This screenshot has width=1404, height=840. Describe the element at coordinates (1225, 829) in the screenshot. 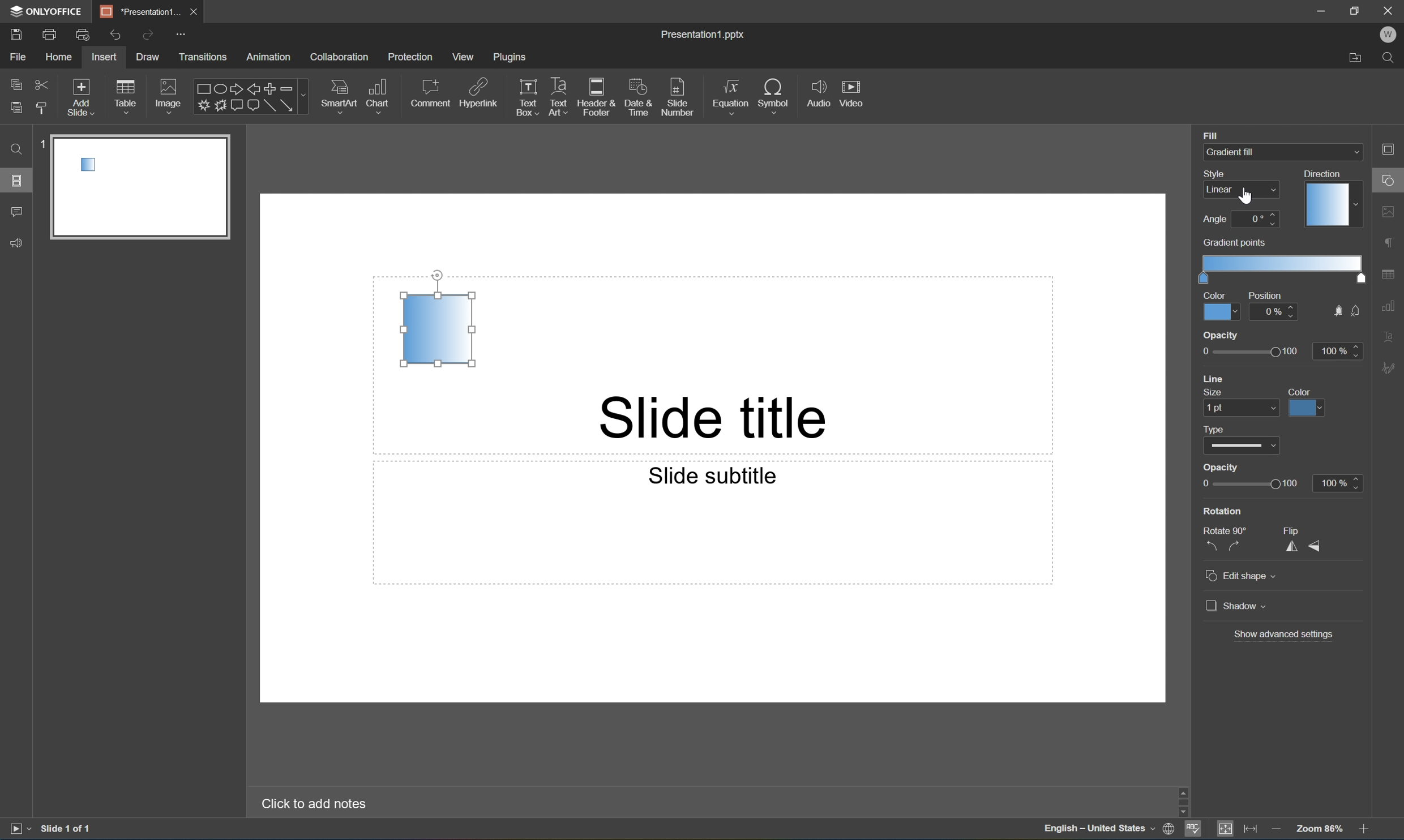

I see `Fit to slide` at that location.